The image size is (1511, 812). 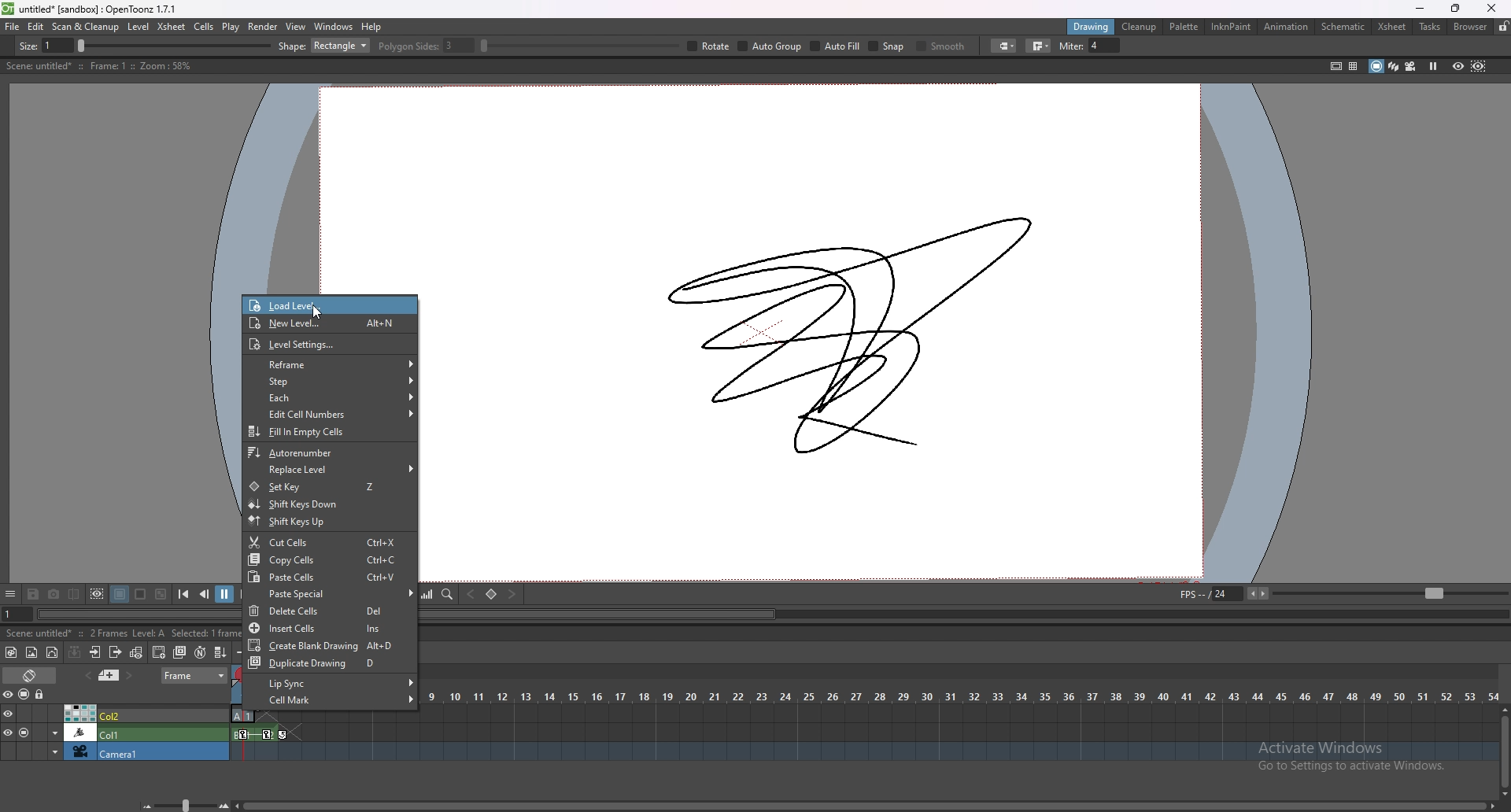 I want to click on open x subsheet, so click(x=95, y=652).